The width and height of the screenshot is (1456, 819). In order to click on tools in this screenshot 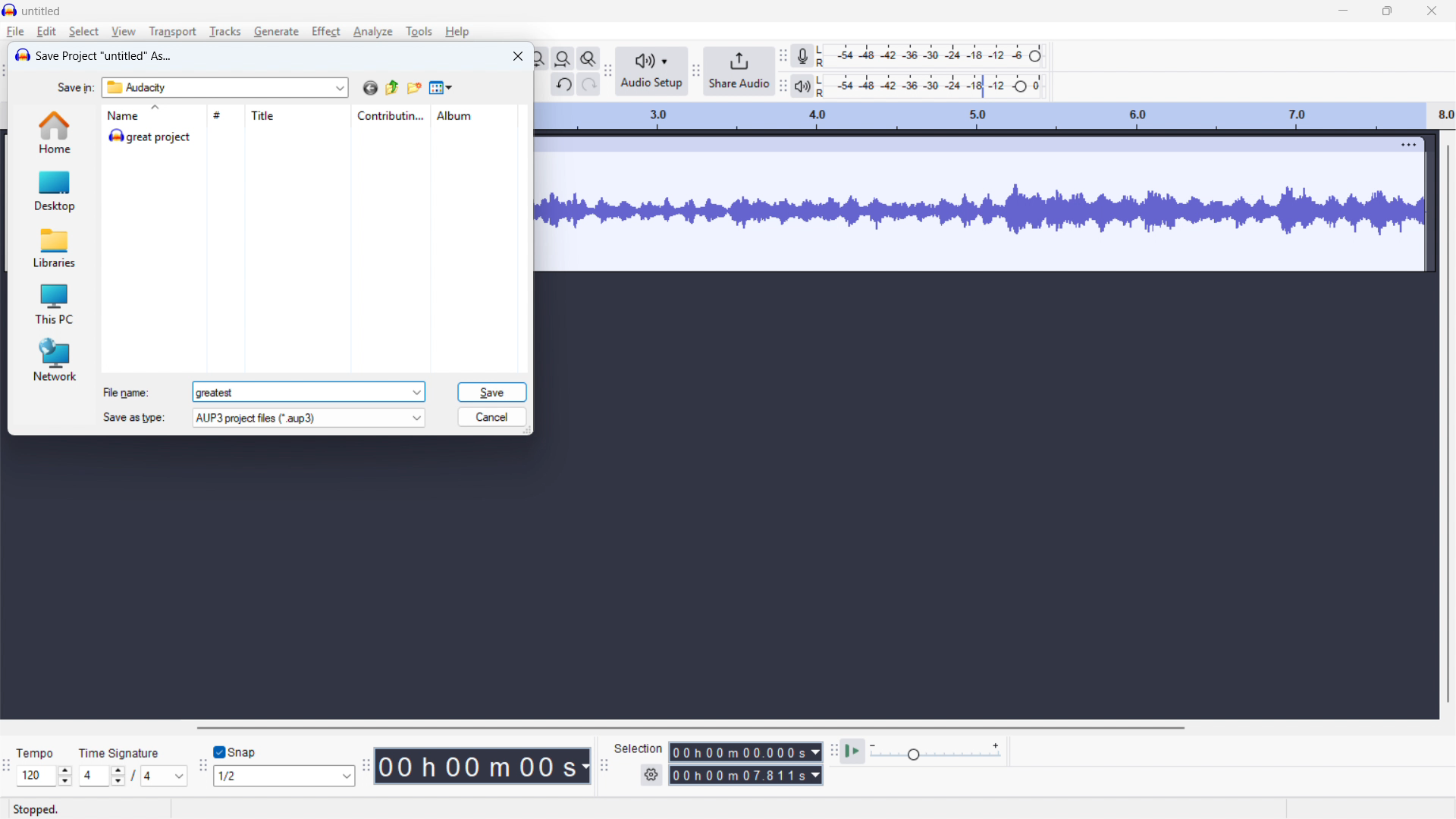, I will do `click(419, 31)`.